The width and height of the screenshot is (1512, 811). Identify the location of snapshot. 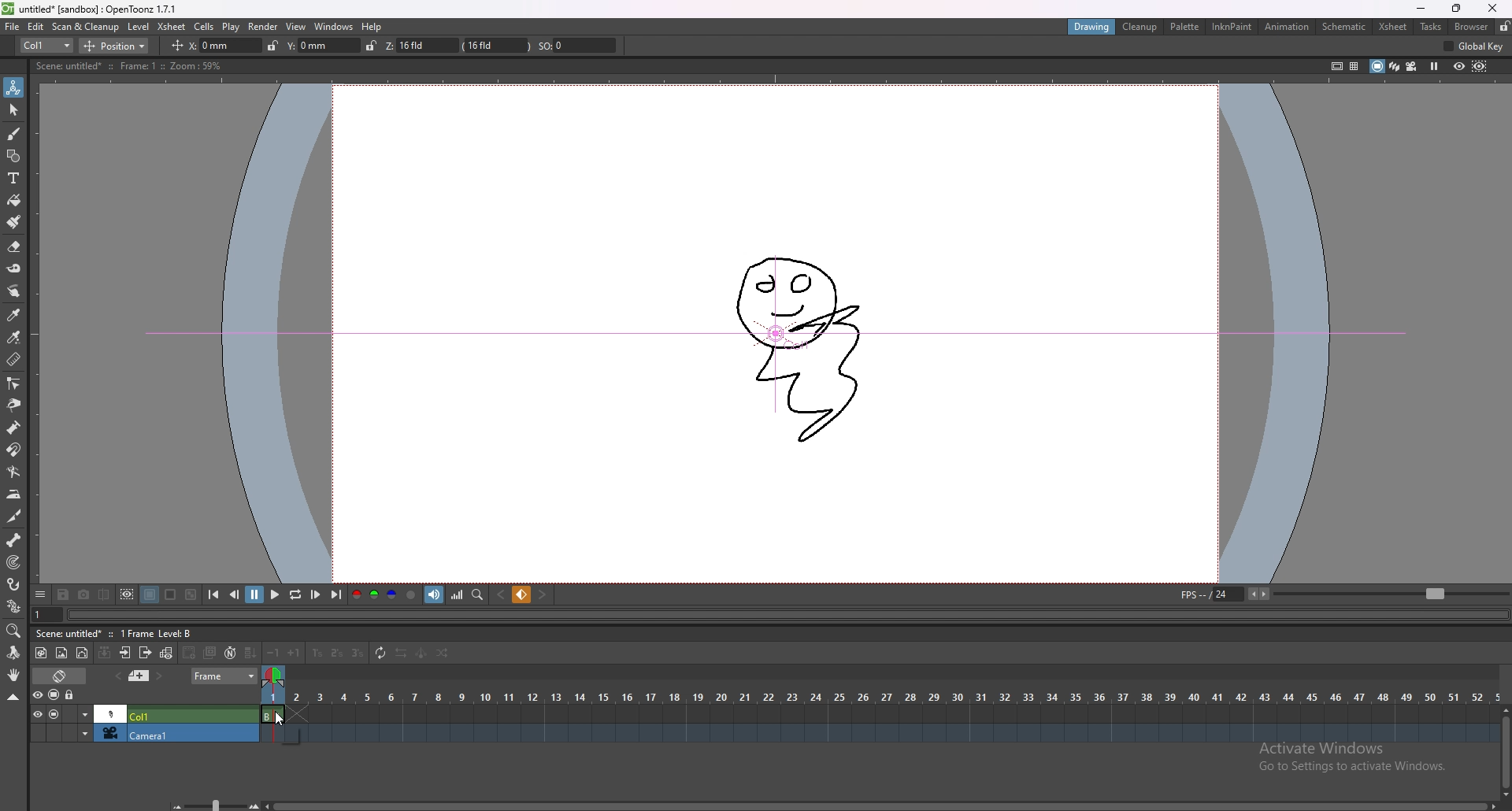
(84, 594).